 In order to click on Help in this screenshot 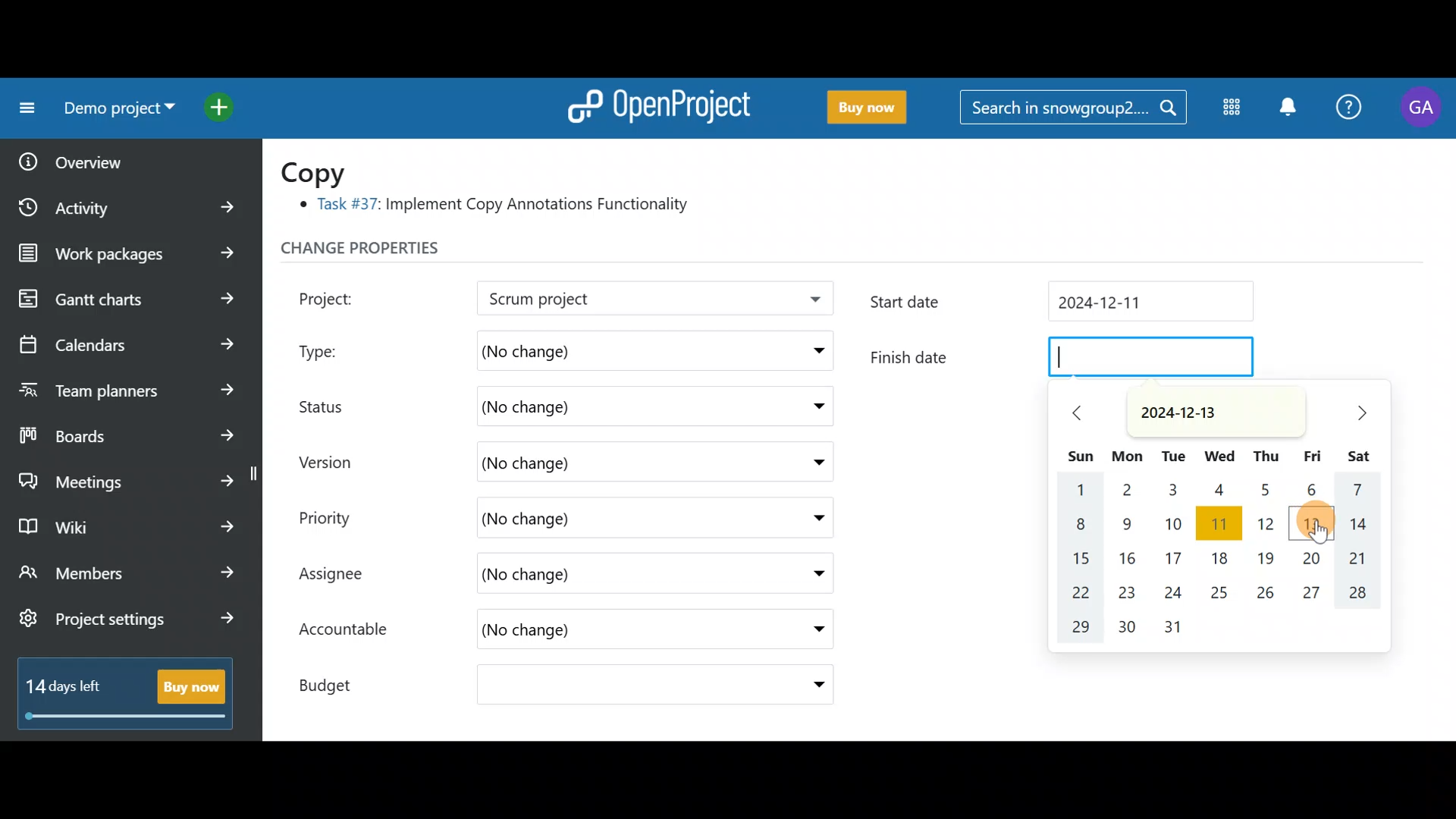, I will do `click(1350, 109)`.